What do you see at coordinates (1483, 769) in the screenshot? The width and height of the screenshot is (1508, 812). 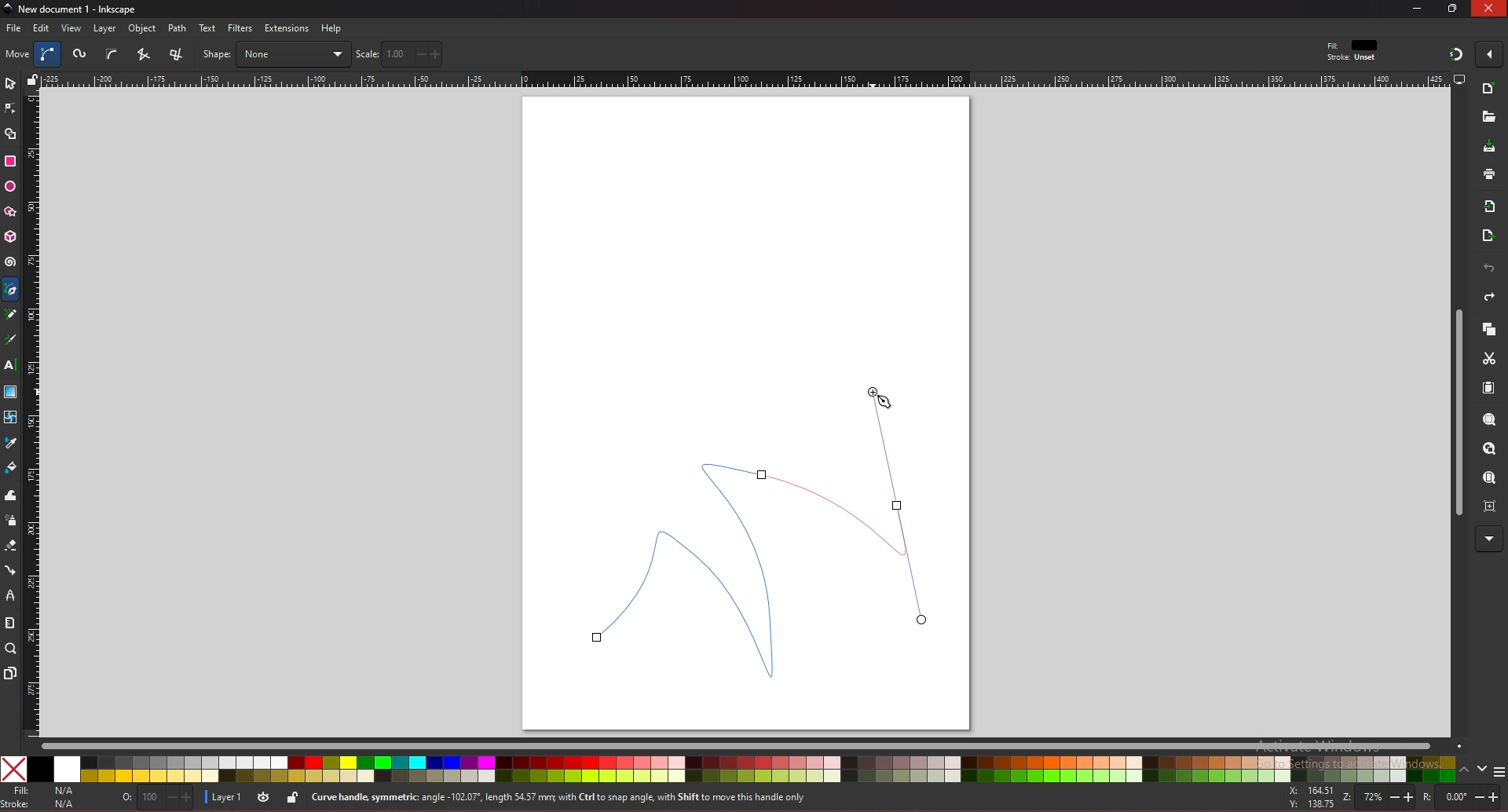 I see `down` at bounding box center [1483, 769].